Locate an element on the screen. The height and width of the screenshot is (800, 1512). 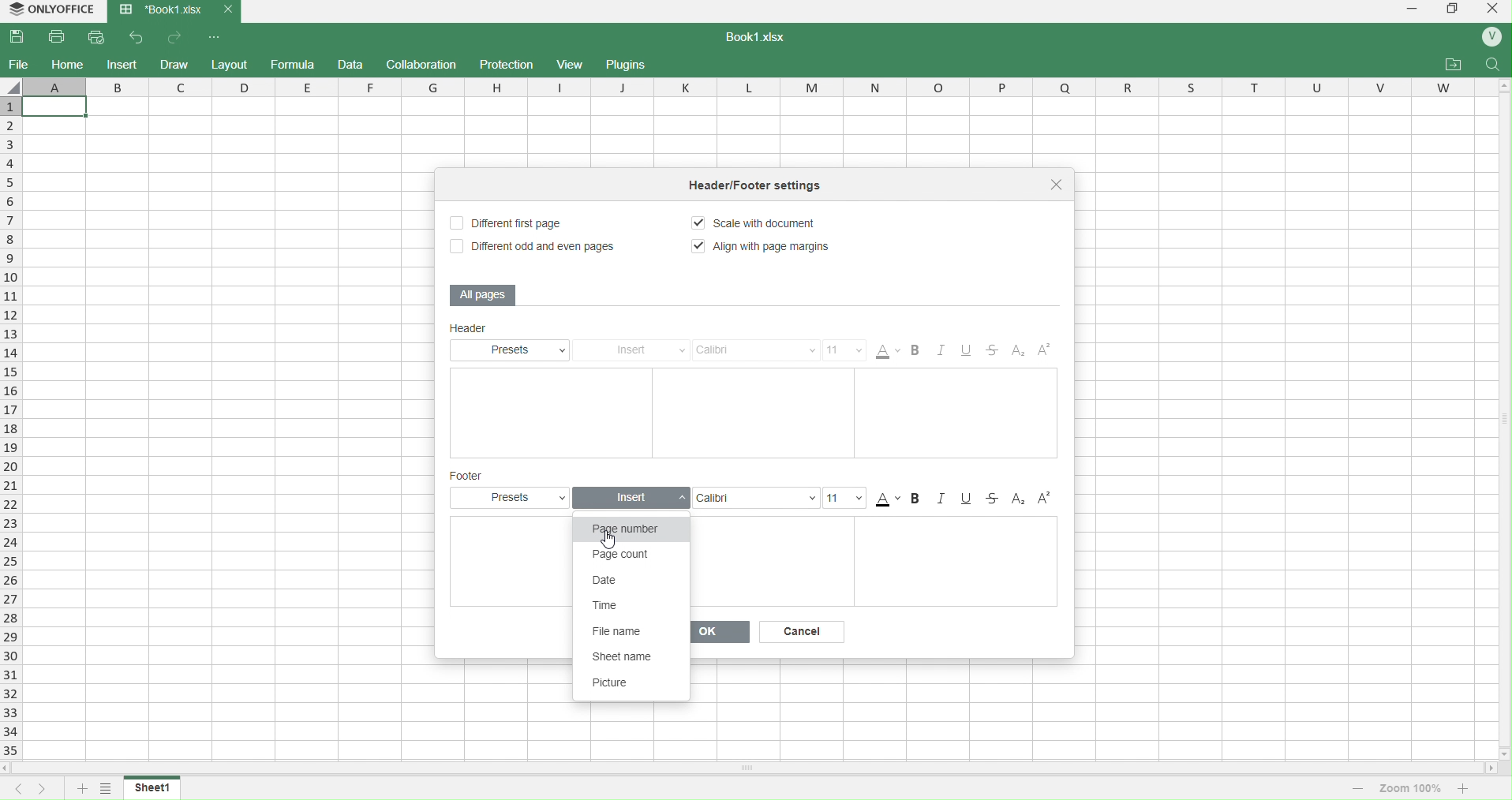
Date is located at coordinates (631, 581).